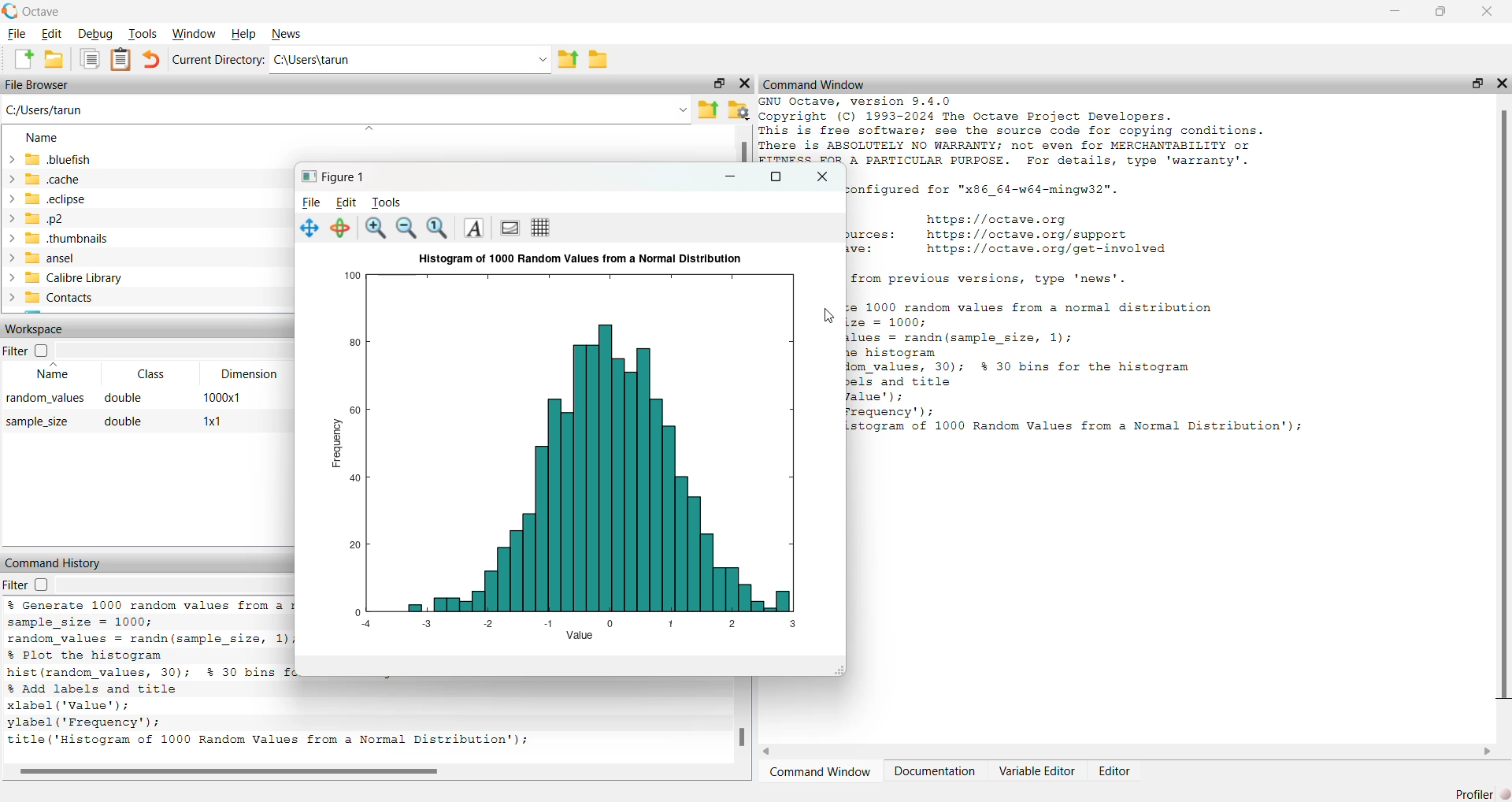 The width and height of the screenshot is (1512, 802). What do you see at coordinates (424, 741) in the screenshot?
I see `from a Normal Distribution');` at bounding box center [424, 741].